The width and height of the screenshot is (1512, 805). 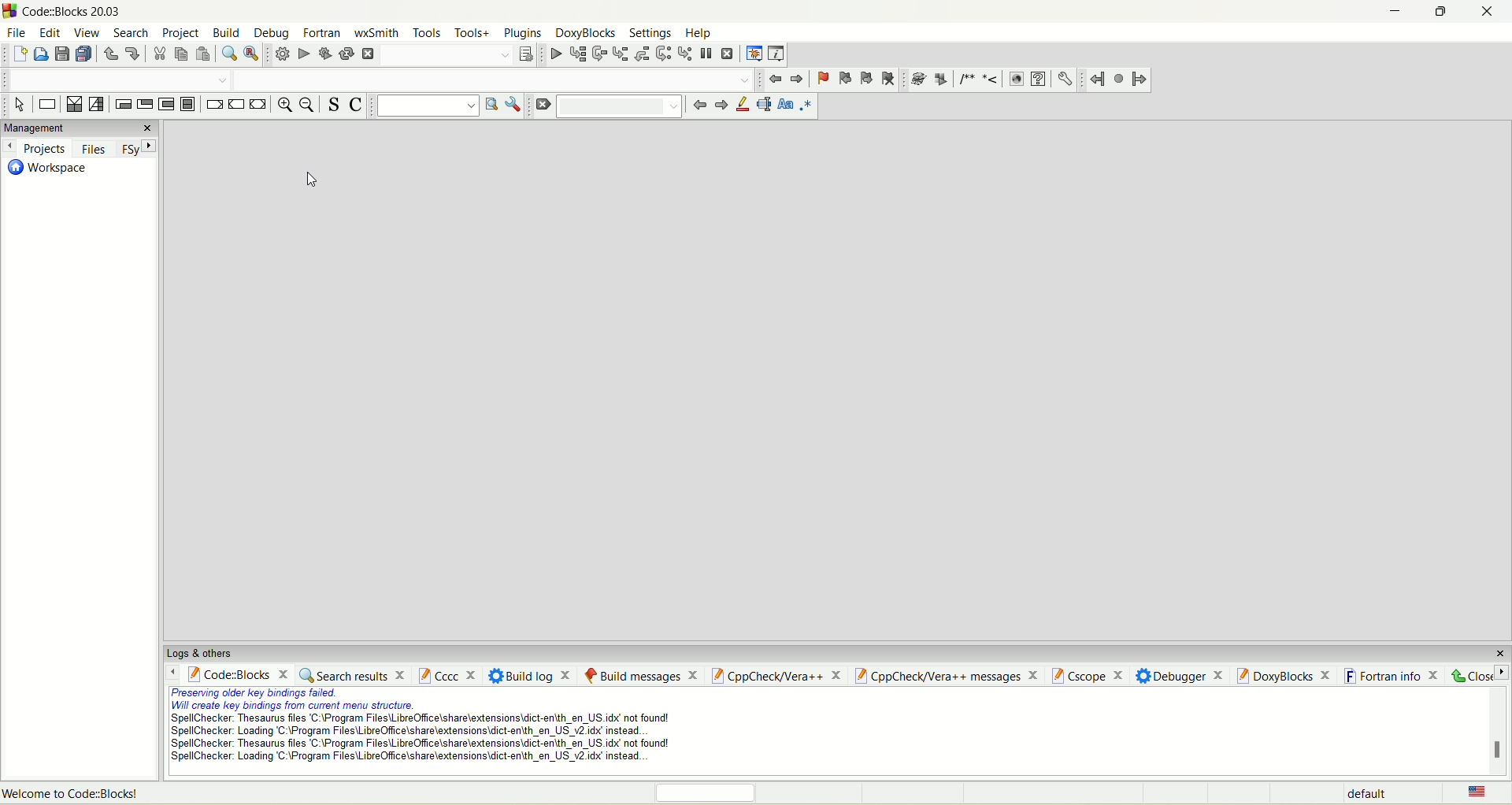 I want to click on Welcome to Code::Blocks!, so click(x=76, y=792).